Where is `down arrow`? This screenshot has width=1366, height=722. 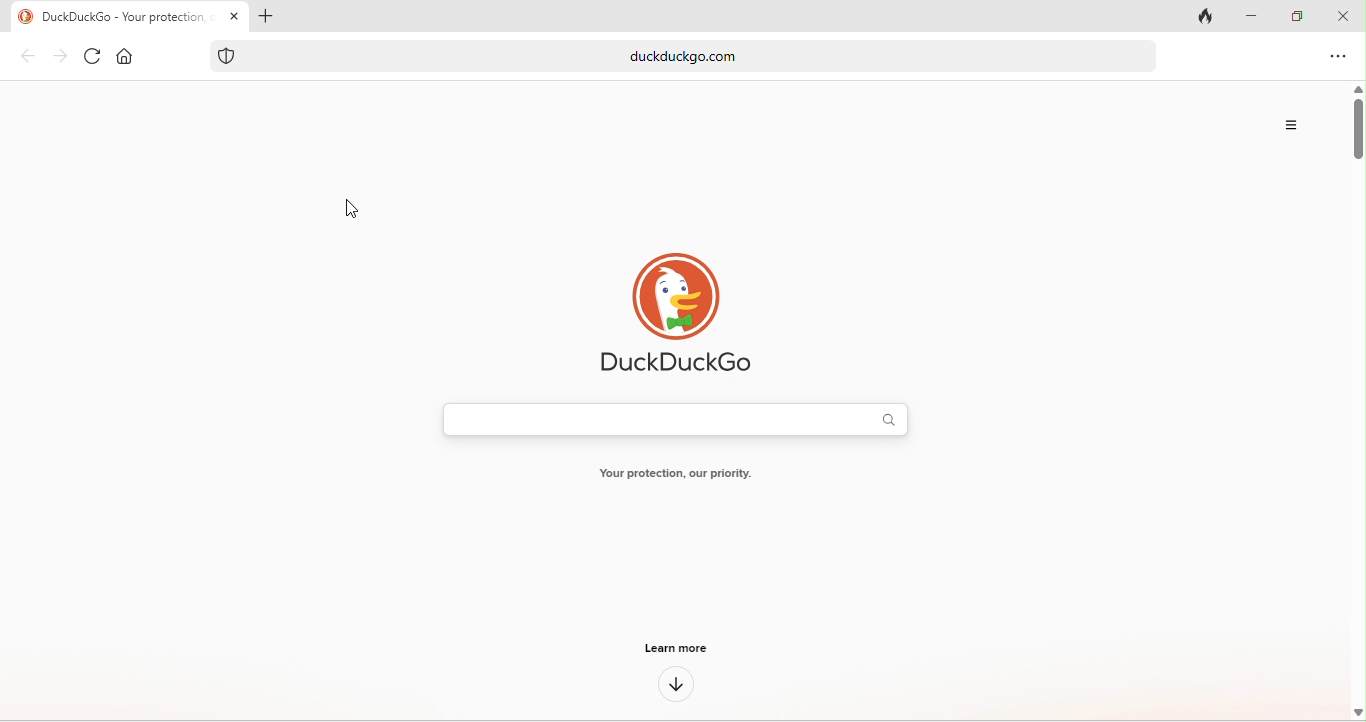
down arrow is located at coordinates (671, 687).